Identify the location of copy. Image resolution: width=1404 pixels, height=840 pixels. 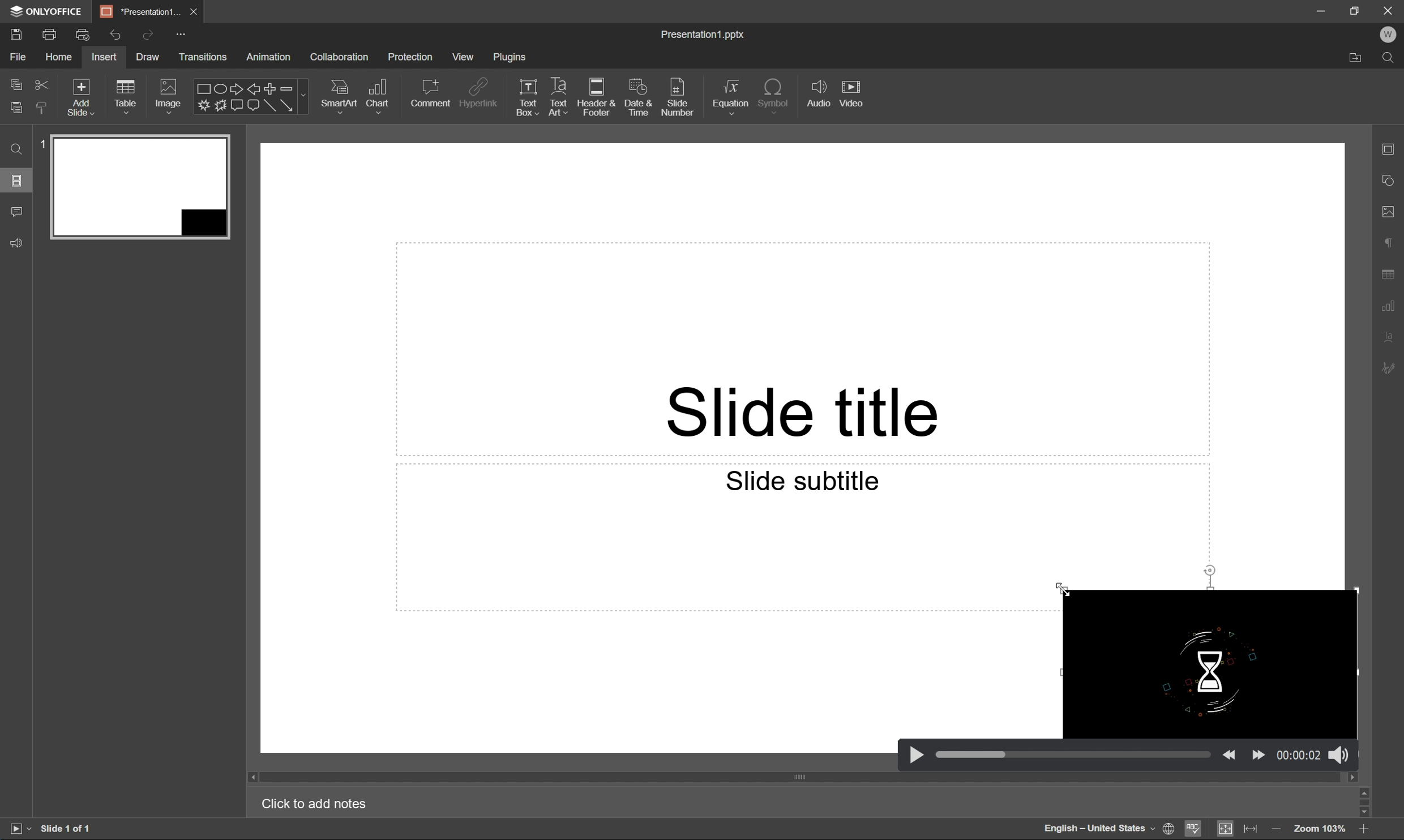
(17, 84).